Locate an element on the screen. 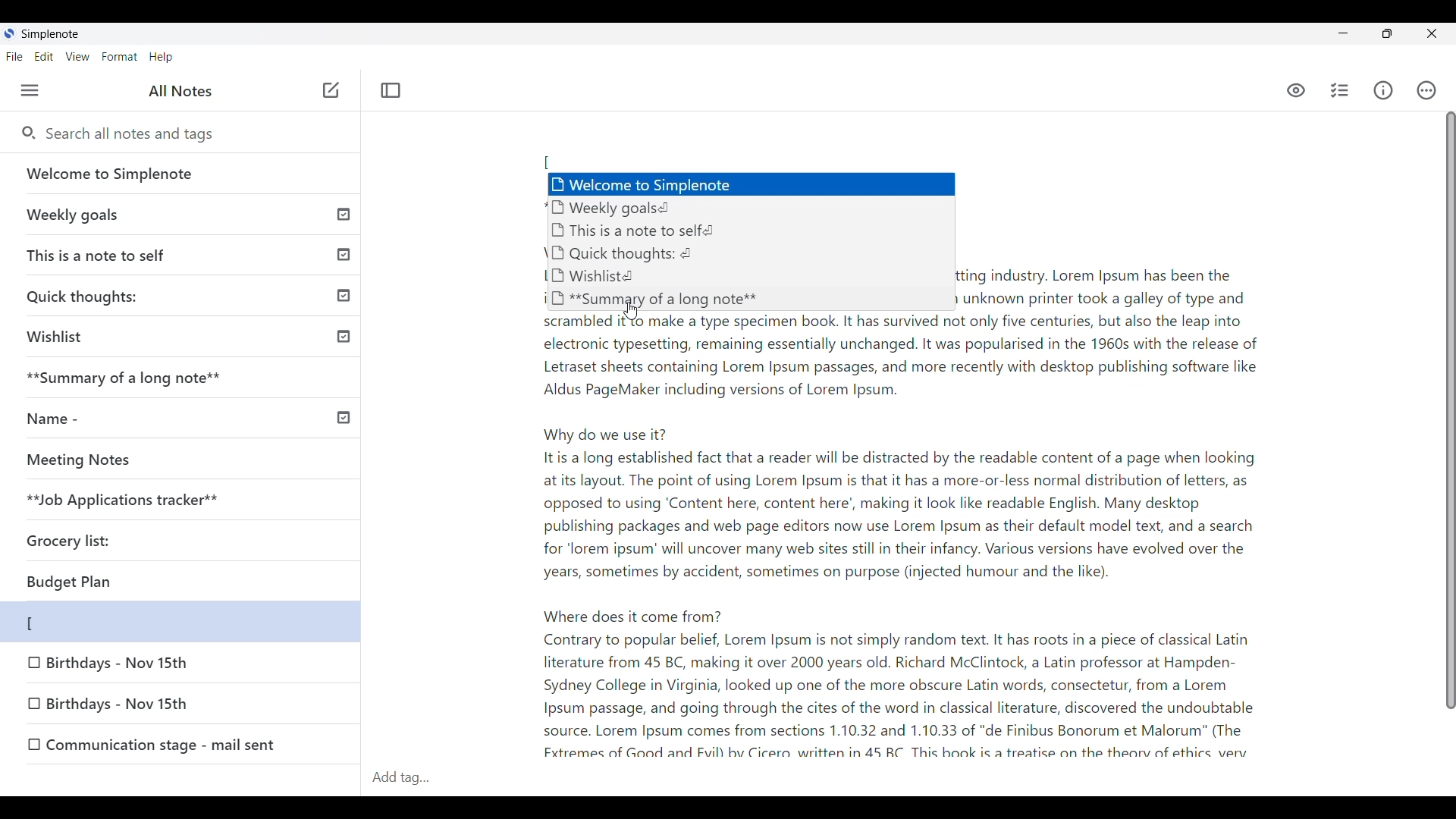 This screenshot has height=819, width=1456. Grocery list is located at coordinates (92, 535).